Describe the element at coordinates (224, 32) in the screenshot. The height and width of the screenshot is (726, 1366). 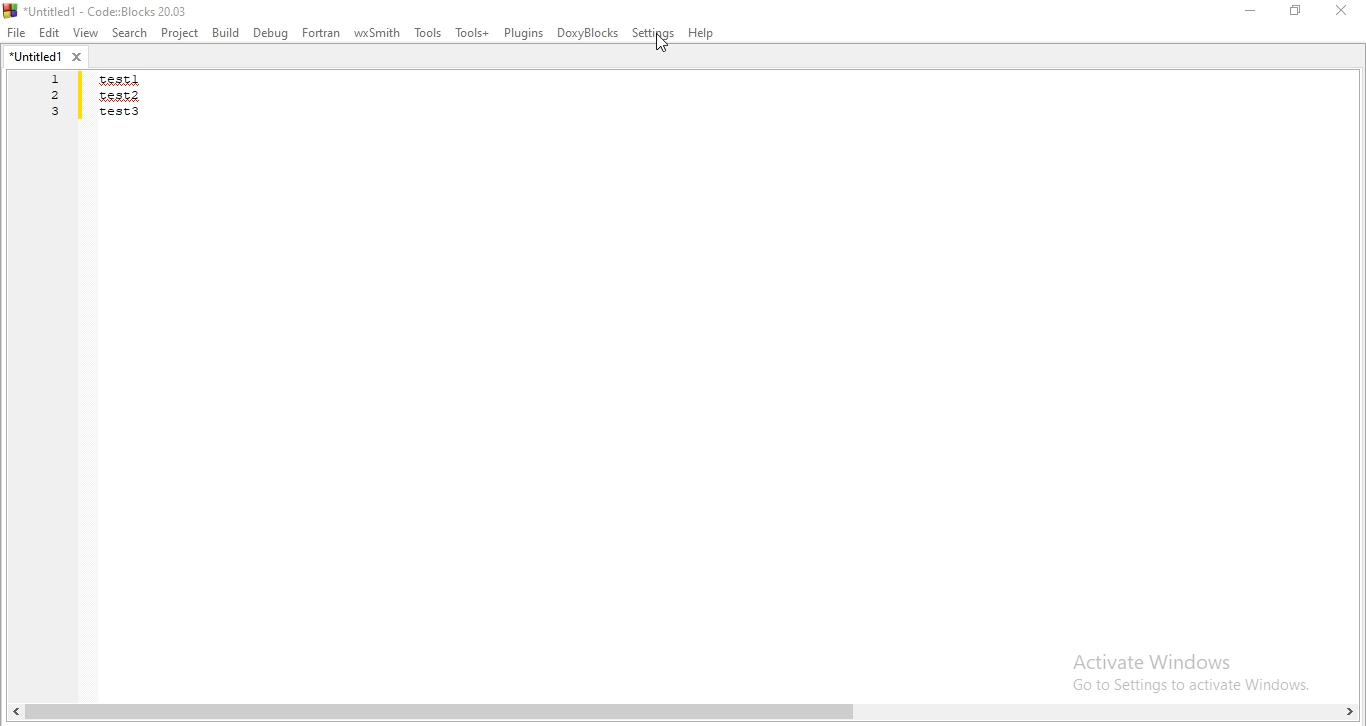
I see `Build ` at that location.